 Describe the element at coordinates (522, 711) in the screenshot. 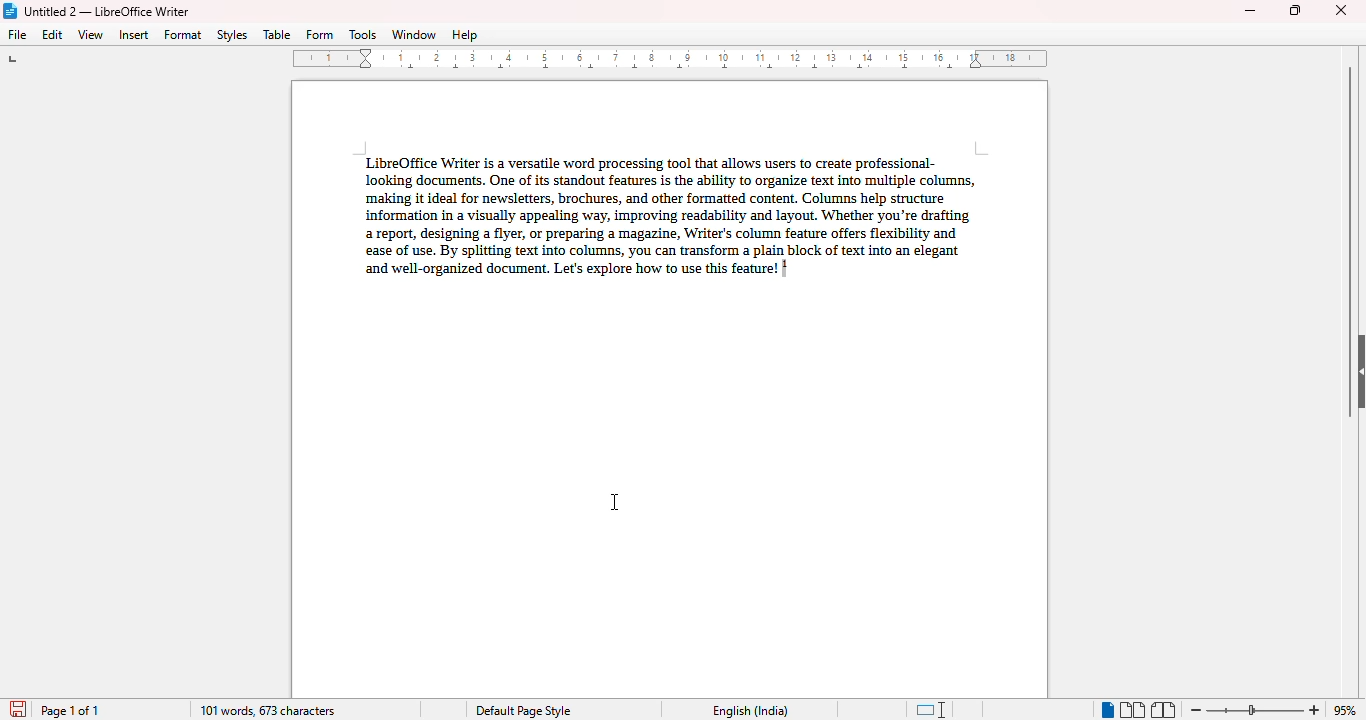

I see `Default page style` at that location.